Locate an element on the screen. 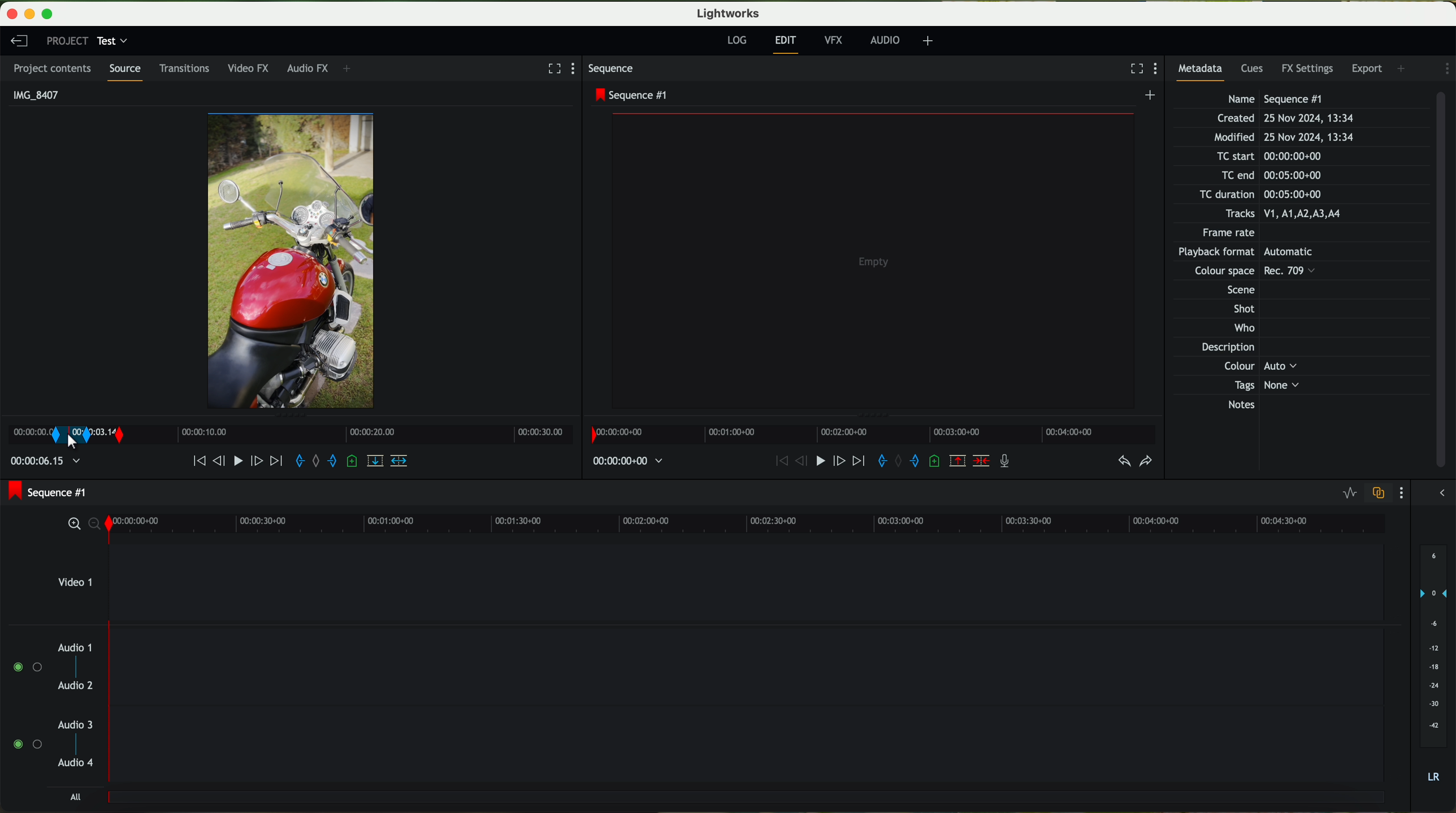  Tags None is located at coordinates (1263, 385).